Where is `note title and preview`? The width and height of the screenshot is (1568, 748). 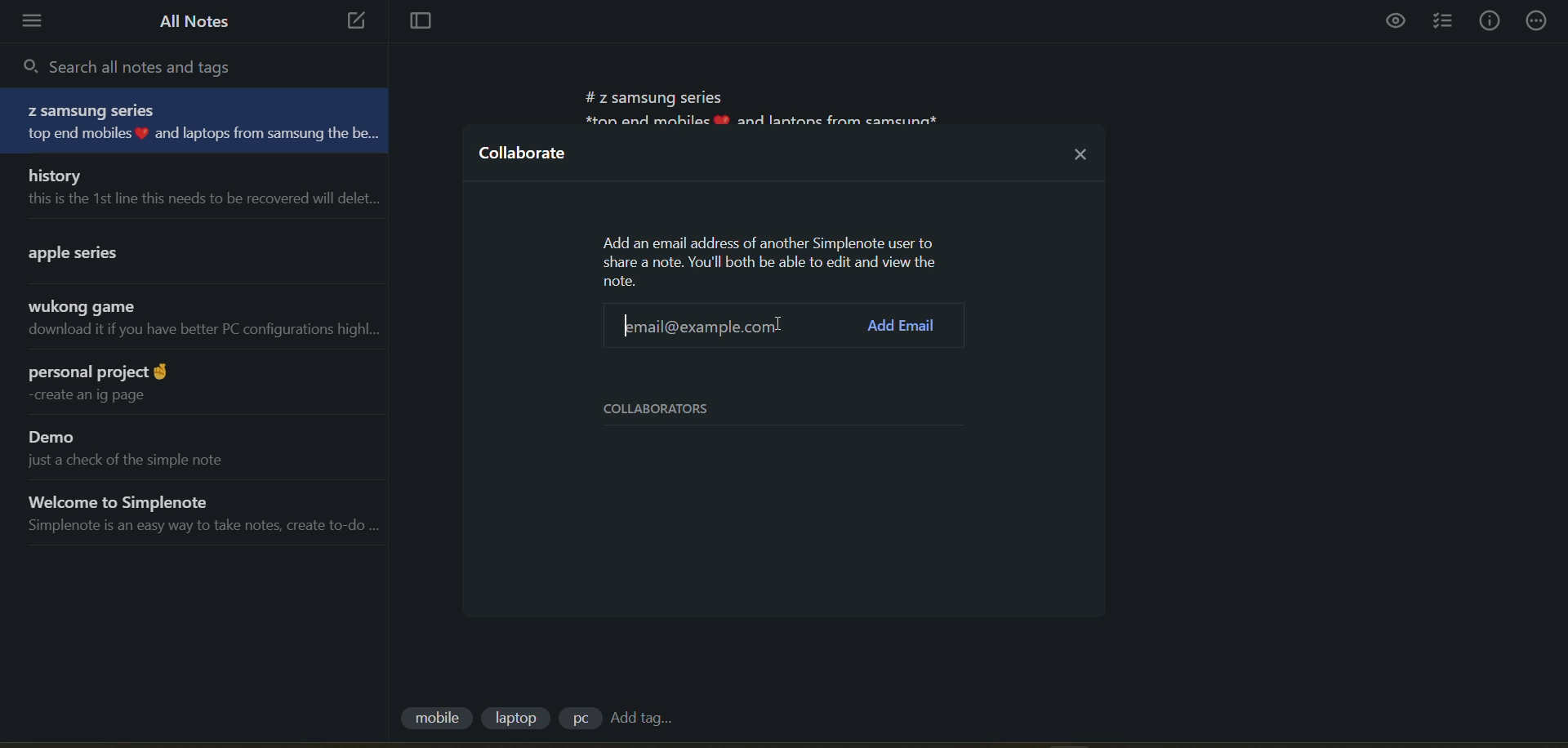
note title and preview is located at coordinates (186, 446).